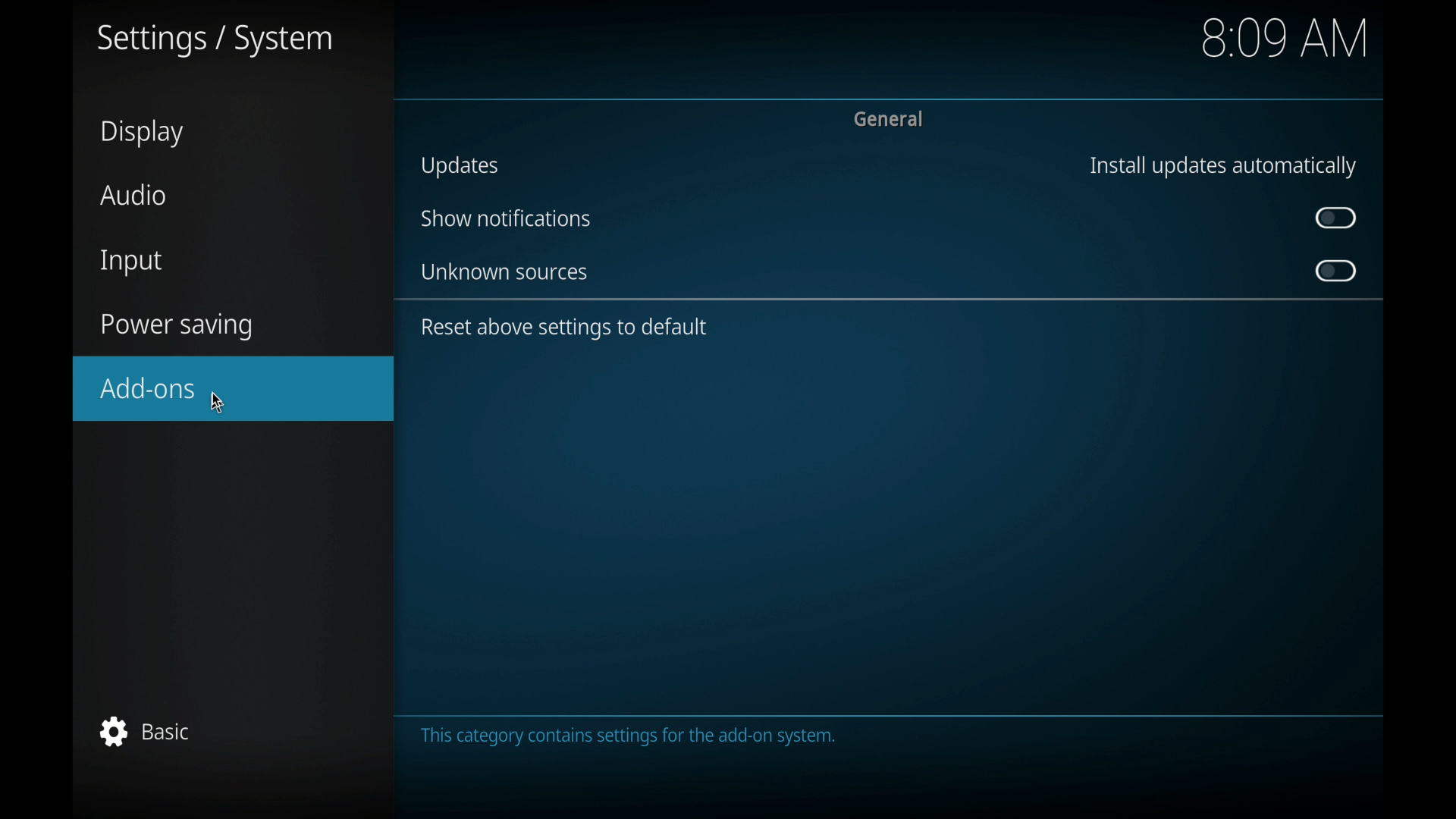 The image size is (1456, 819). I want to click on power saving, so click(177, 327).